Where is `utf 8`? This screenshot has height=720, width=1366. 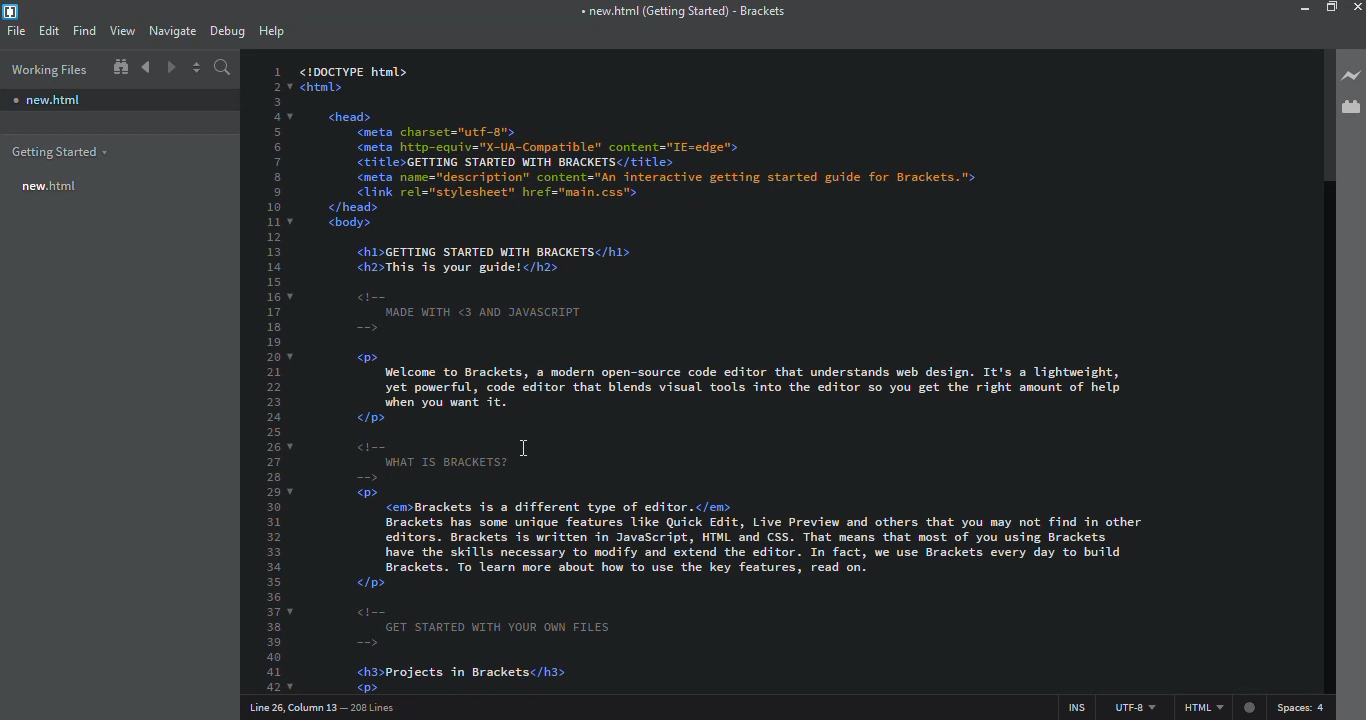 utf 8 is located at coordinates (1134, 704).